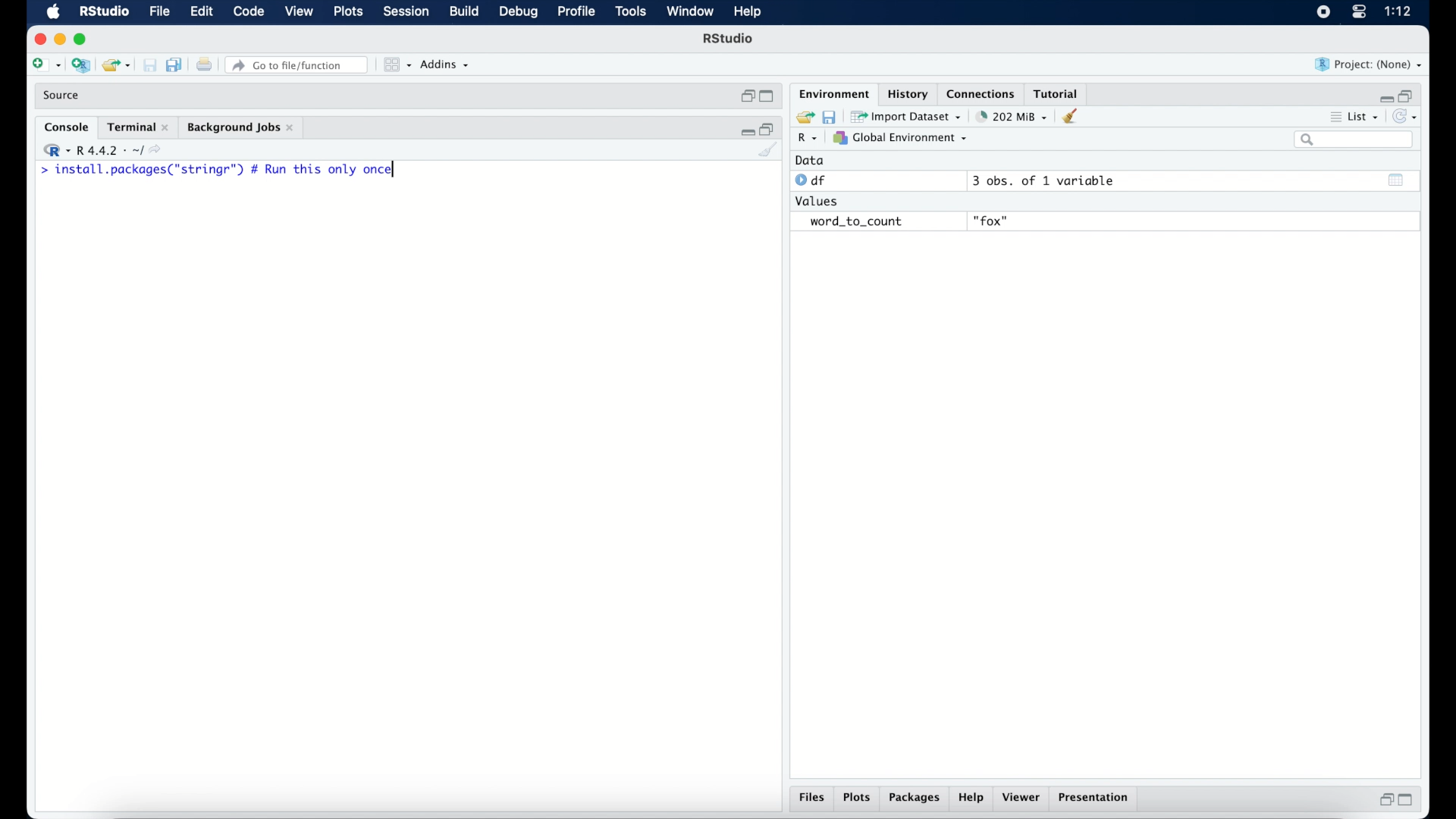 The height and width of the screenshot is (819, 1456). I want to click on save, so click(831, 116).